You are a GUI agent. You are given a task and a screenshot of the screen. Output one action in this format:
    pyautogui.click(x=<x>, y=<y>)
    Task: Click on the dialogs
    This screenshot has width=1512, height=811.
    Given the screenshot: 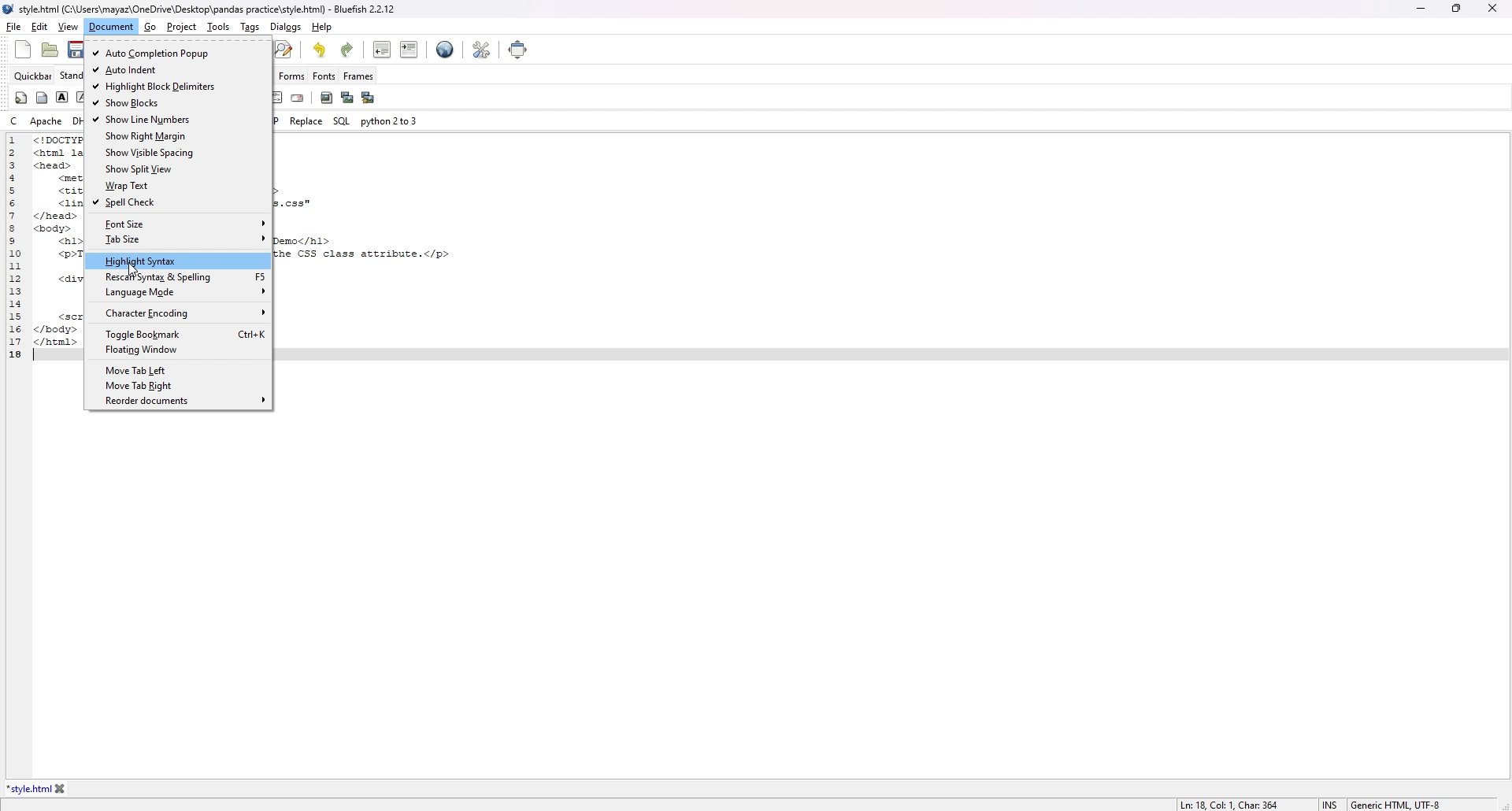 What is the action you would take?
    pyautogui.click(x=286, y=27)
    